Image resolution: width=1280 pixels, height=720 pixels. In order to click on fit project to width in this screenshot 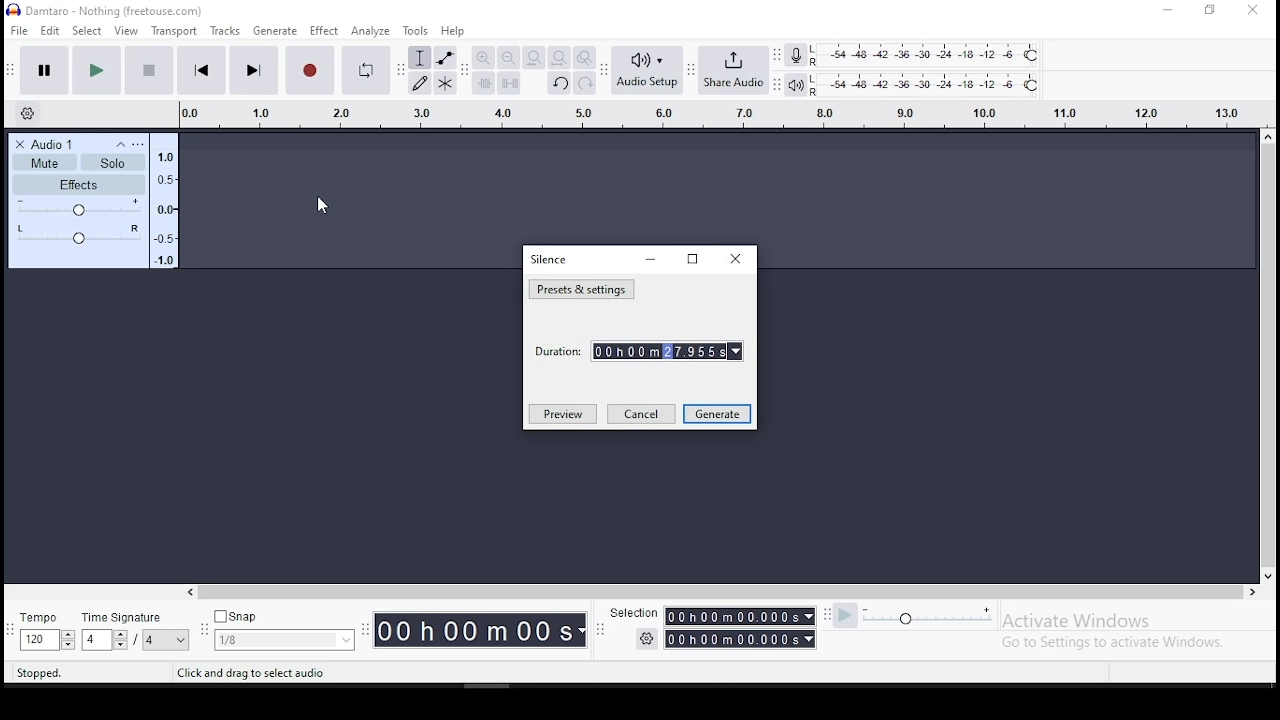, I will do `click(560, 57)`.